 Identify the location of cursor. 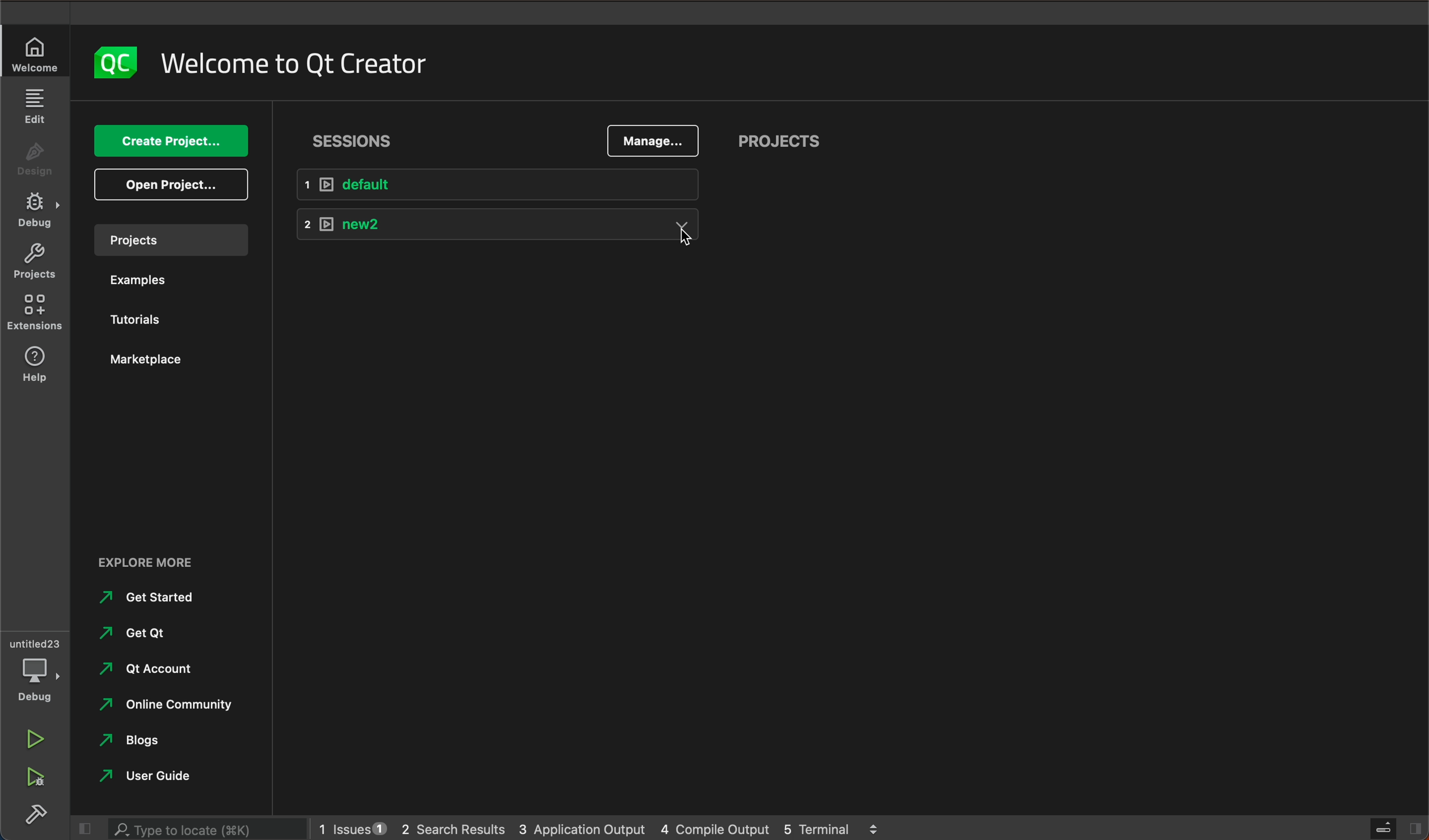
(686, 244).